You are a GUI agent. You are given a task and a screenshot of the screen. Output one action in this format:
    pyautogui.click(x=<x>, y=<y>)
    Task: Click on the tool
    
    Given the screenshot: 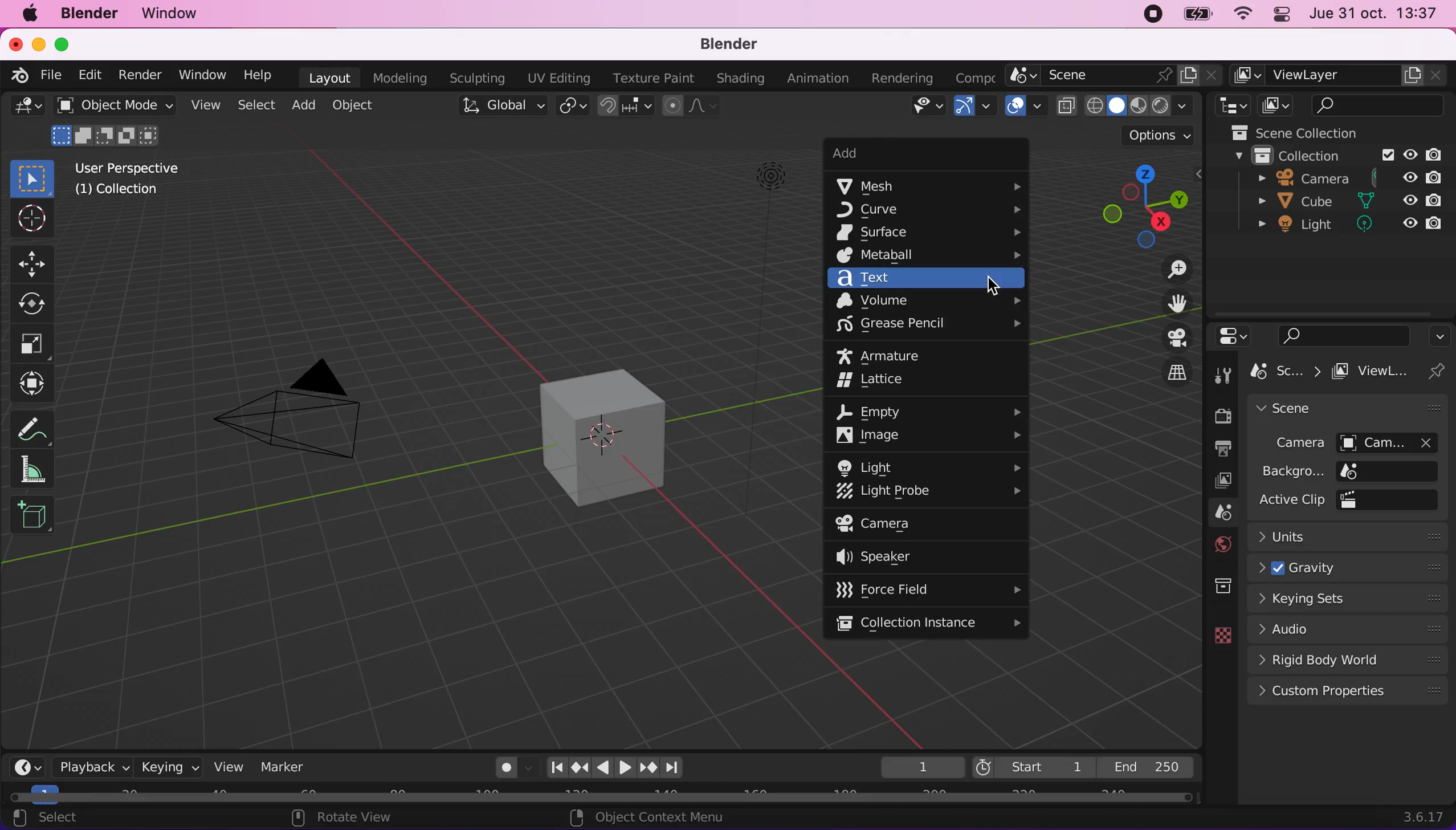 What is the action you would take?
    pyautogui.click(x=1223, y=373)
    